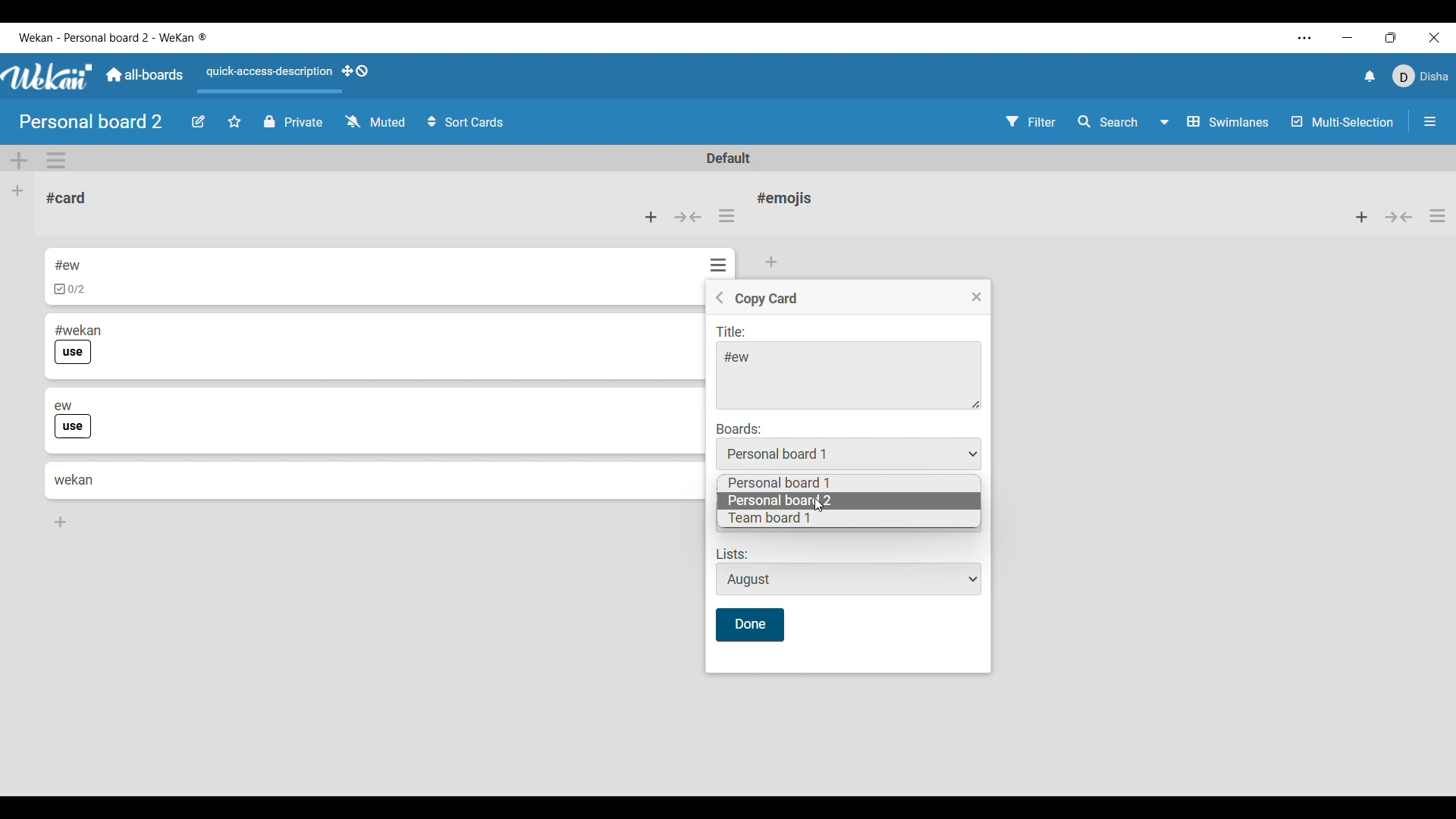 The image size is (1456, 819). Describe the element at coordinates (49, 76) in the screenshot. I see `Software logo` at that location.